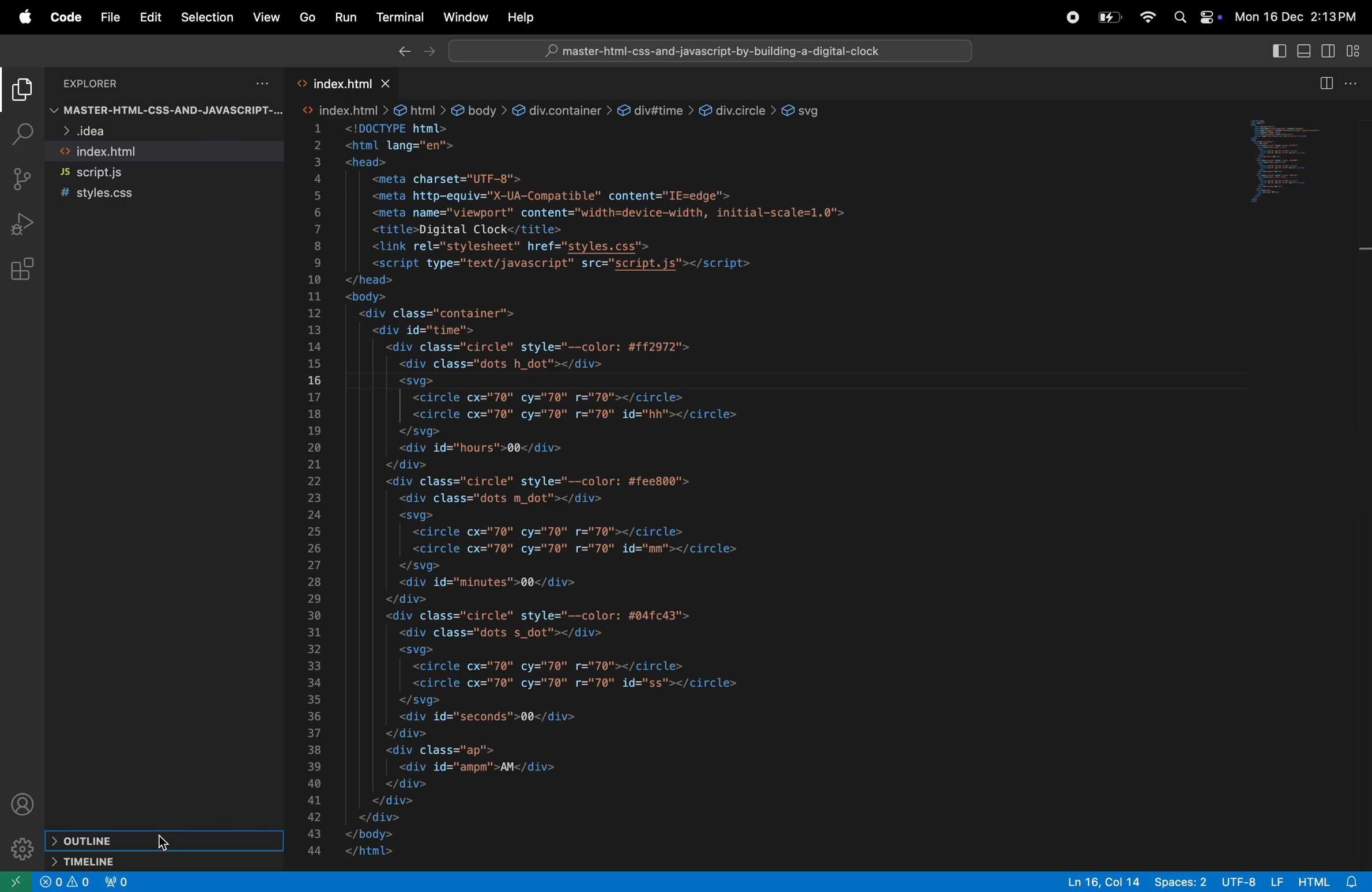  I want to click on workspace search bar, so click(710, 50).